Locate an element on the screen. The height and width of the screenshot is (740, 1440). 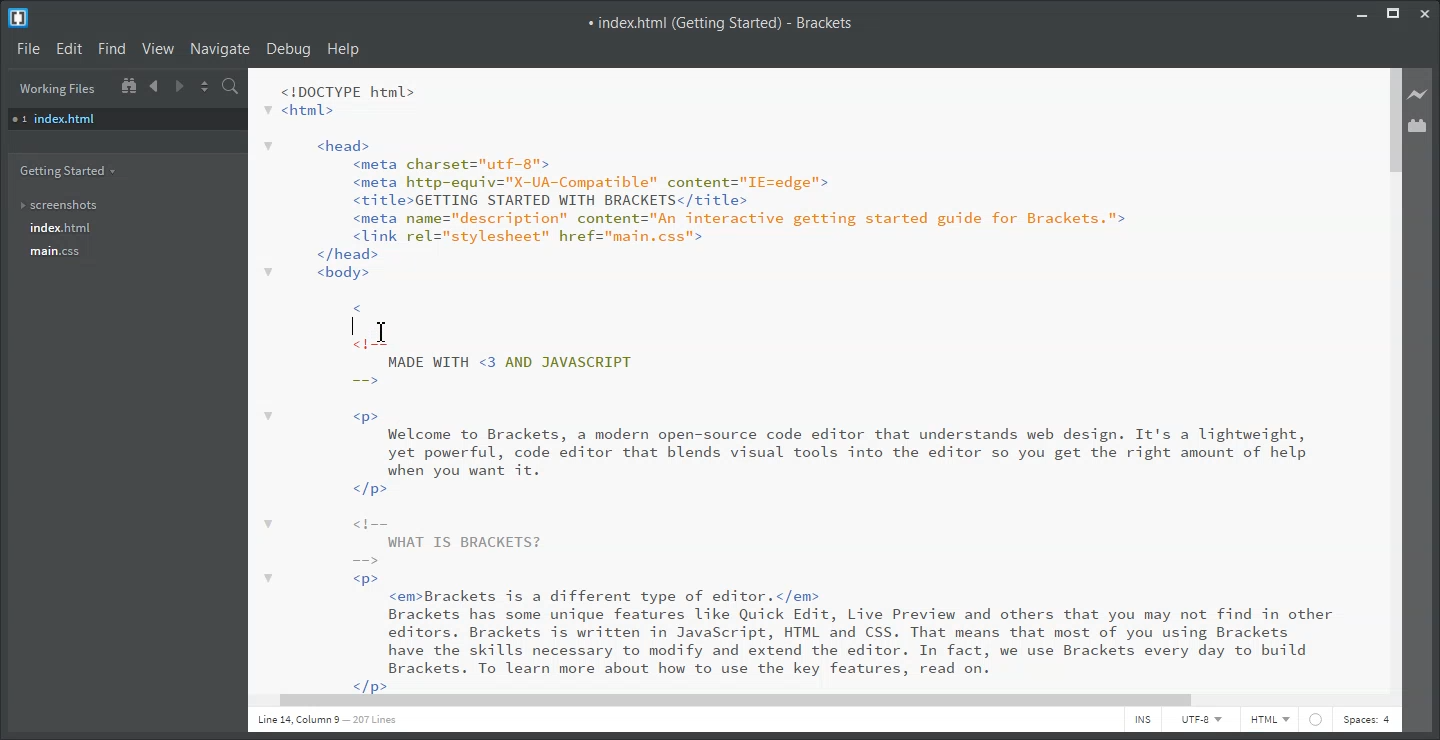
index.html is located at coordinates (62, 228).